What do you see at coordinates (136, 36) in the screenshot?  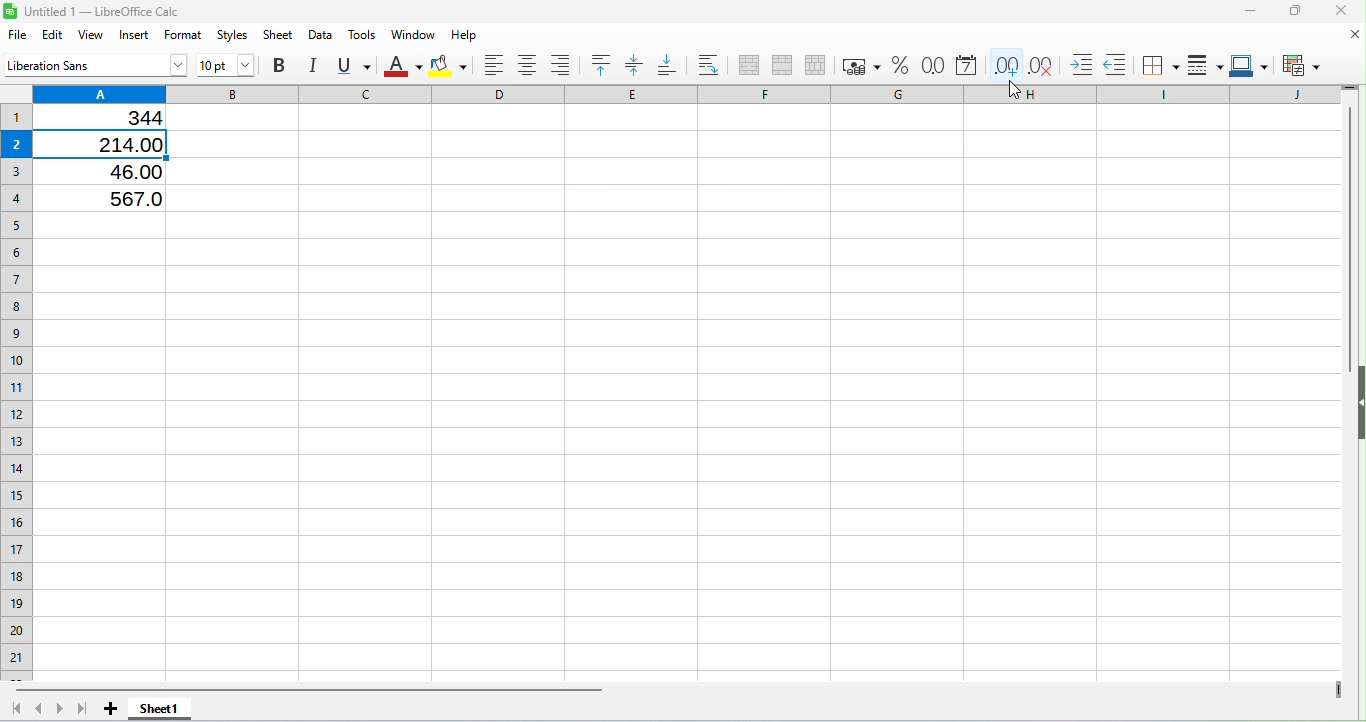 I see `Insert` at bounding box center [136, 36].